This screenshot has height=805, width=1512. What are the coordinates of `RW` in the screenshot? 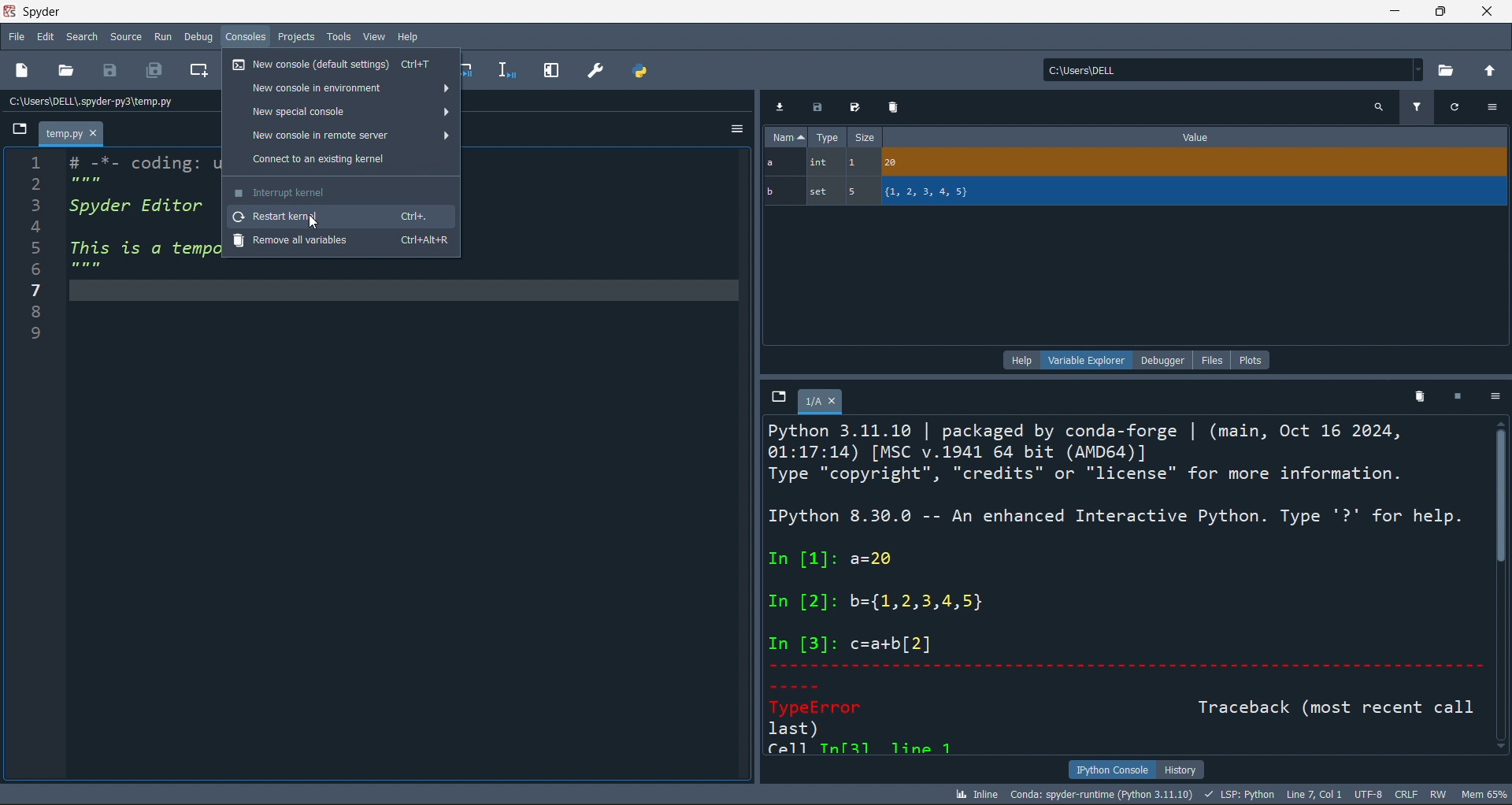 It's located at (1440, 794).